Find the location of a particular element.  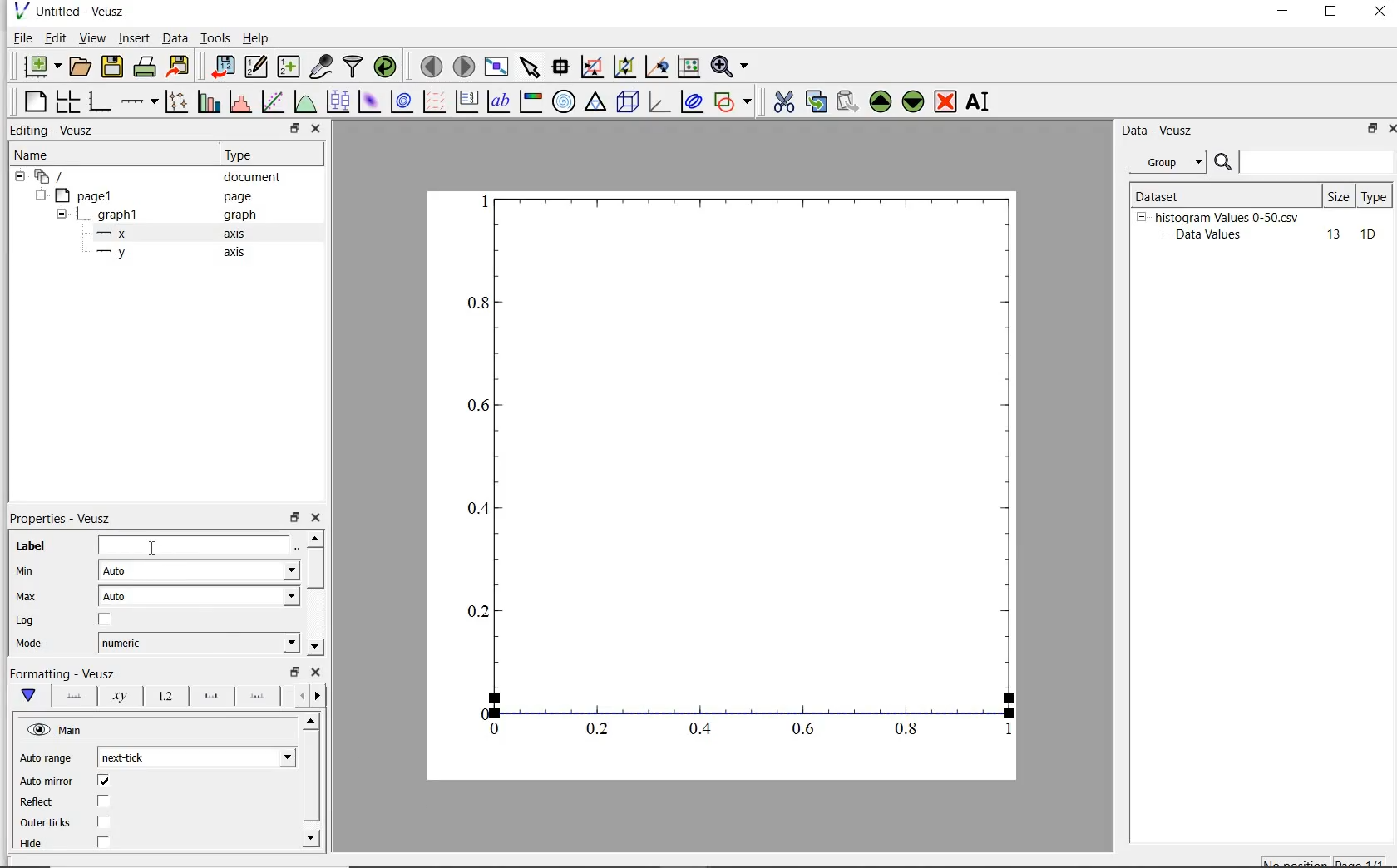

move down is located at coordinates (314, 647).